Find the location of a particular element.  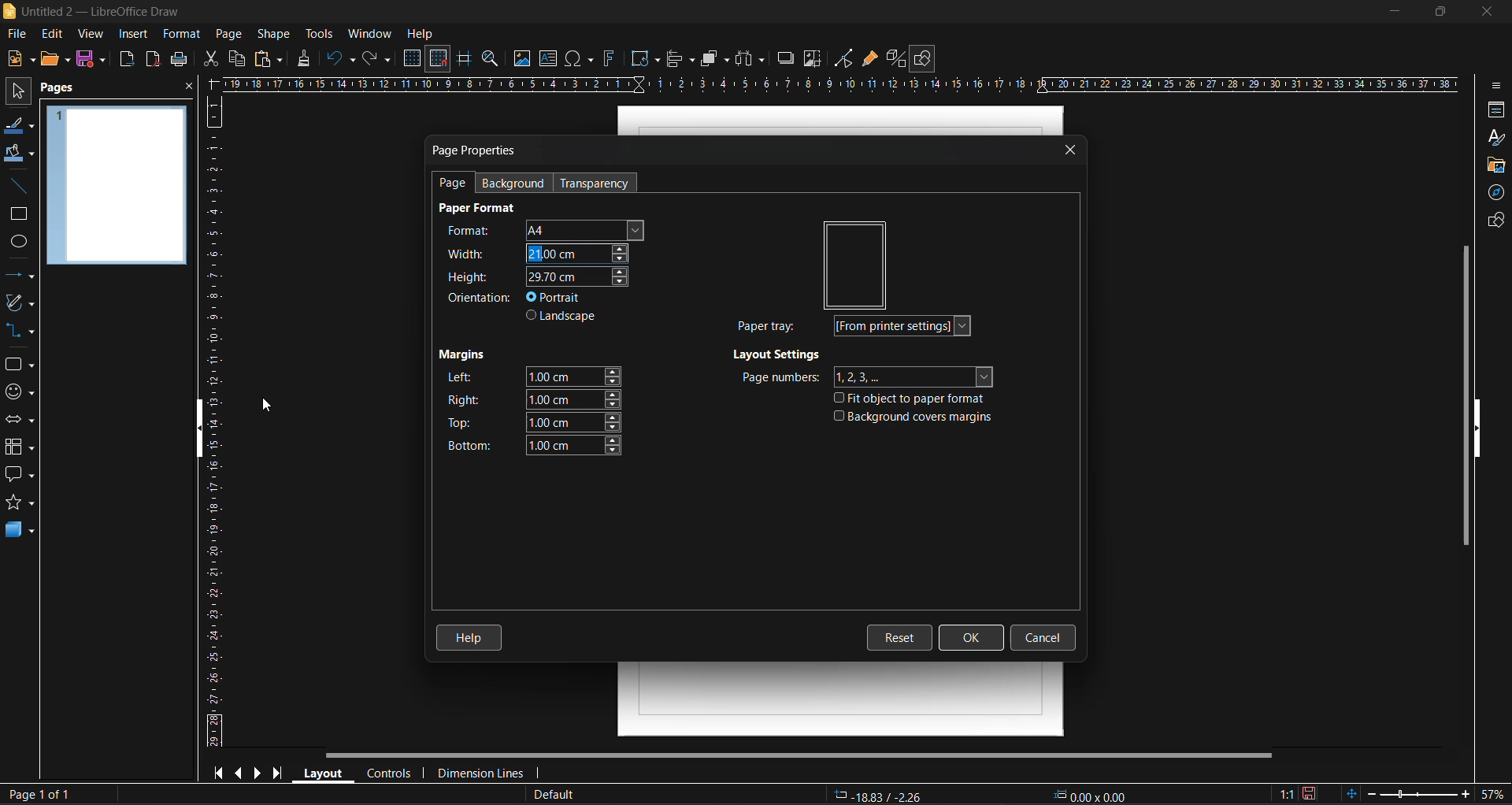

sidebar settings is located at coordinates (1499, 86).